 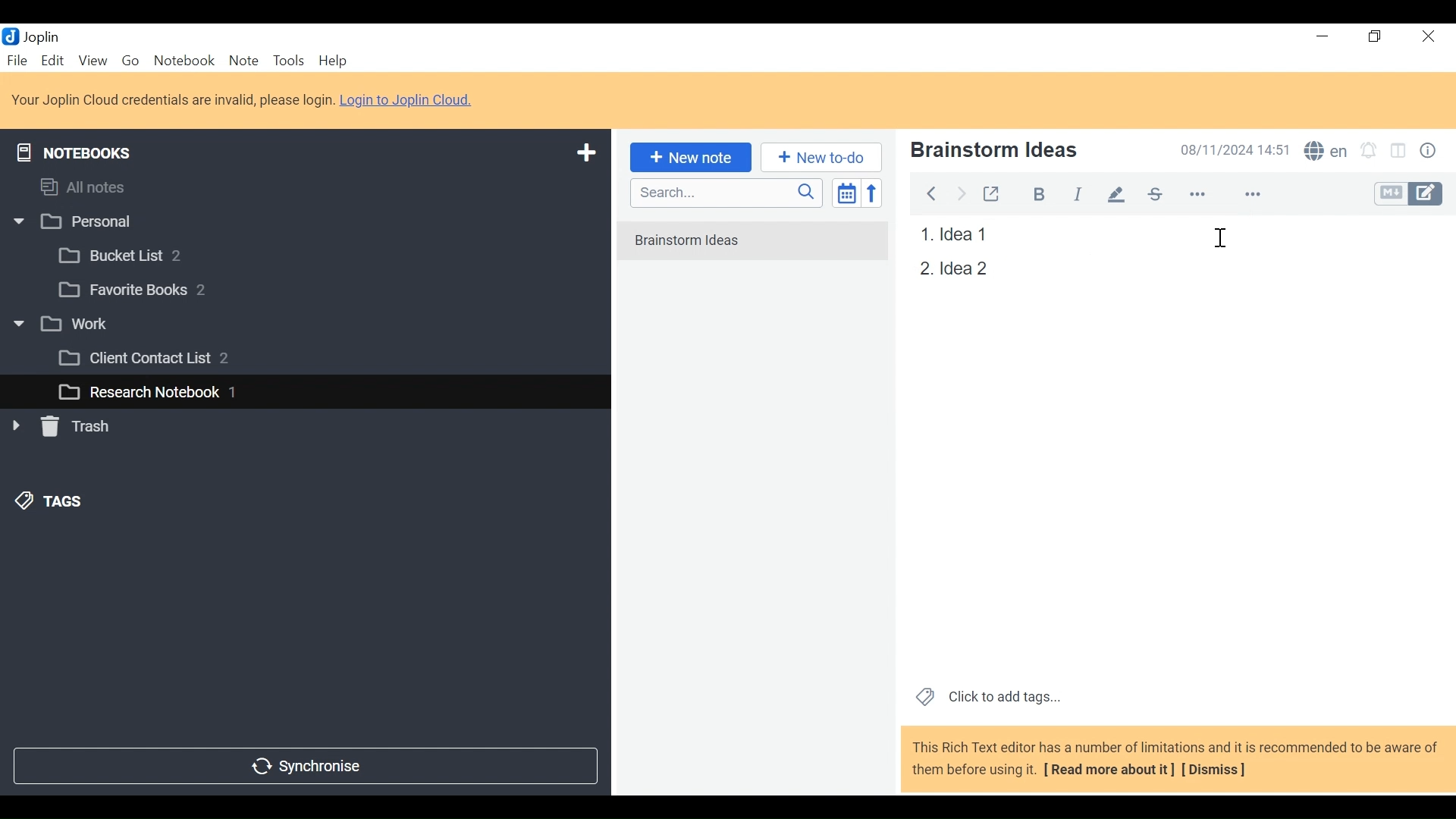 I want to click on Go, so click(x=130, y=59).